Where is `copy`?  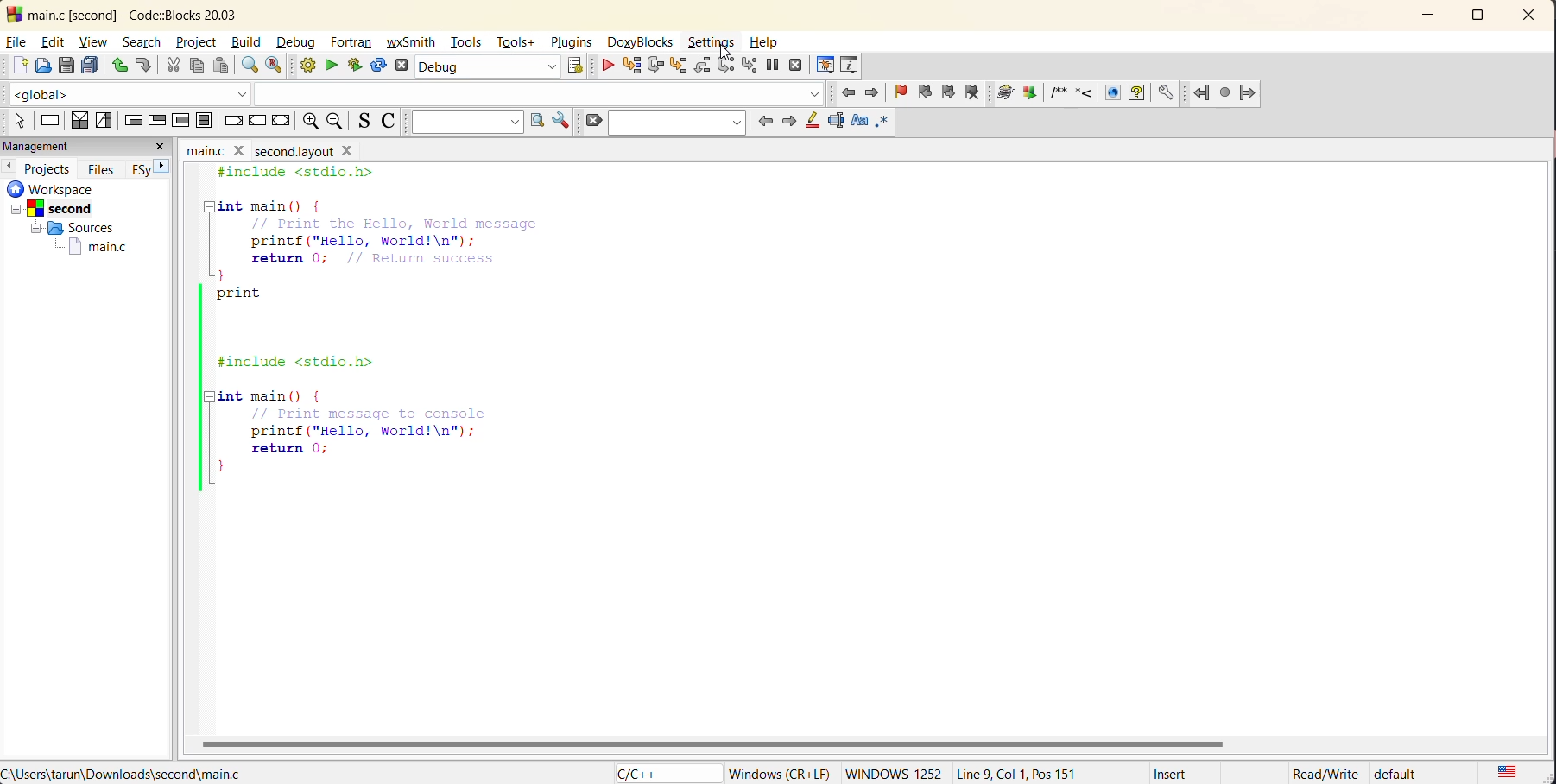
copy is located at coordinates (198, 66).